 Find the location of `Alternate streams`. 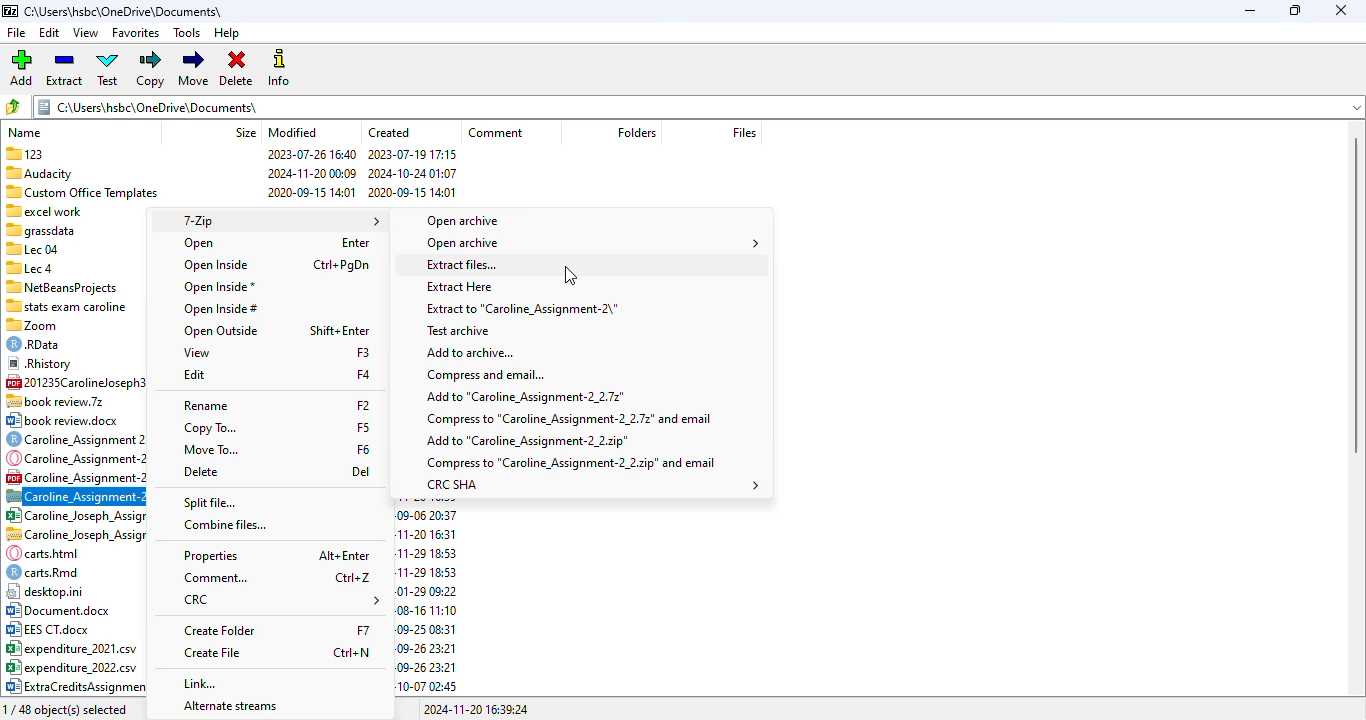

Alternate streams is located at coordinates (230, 708).